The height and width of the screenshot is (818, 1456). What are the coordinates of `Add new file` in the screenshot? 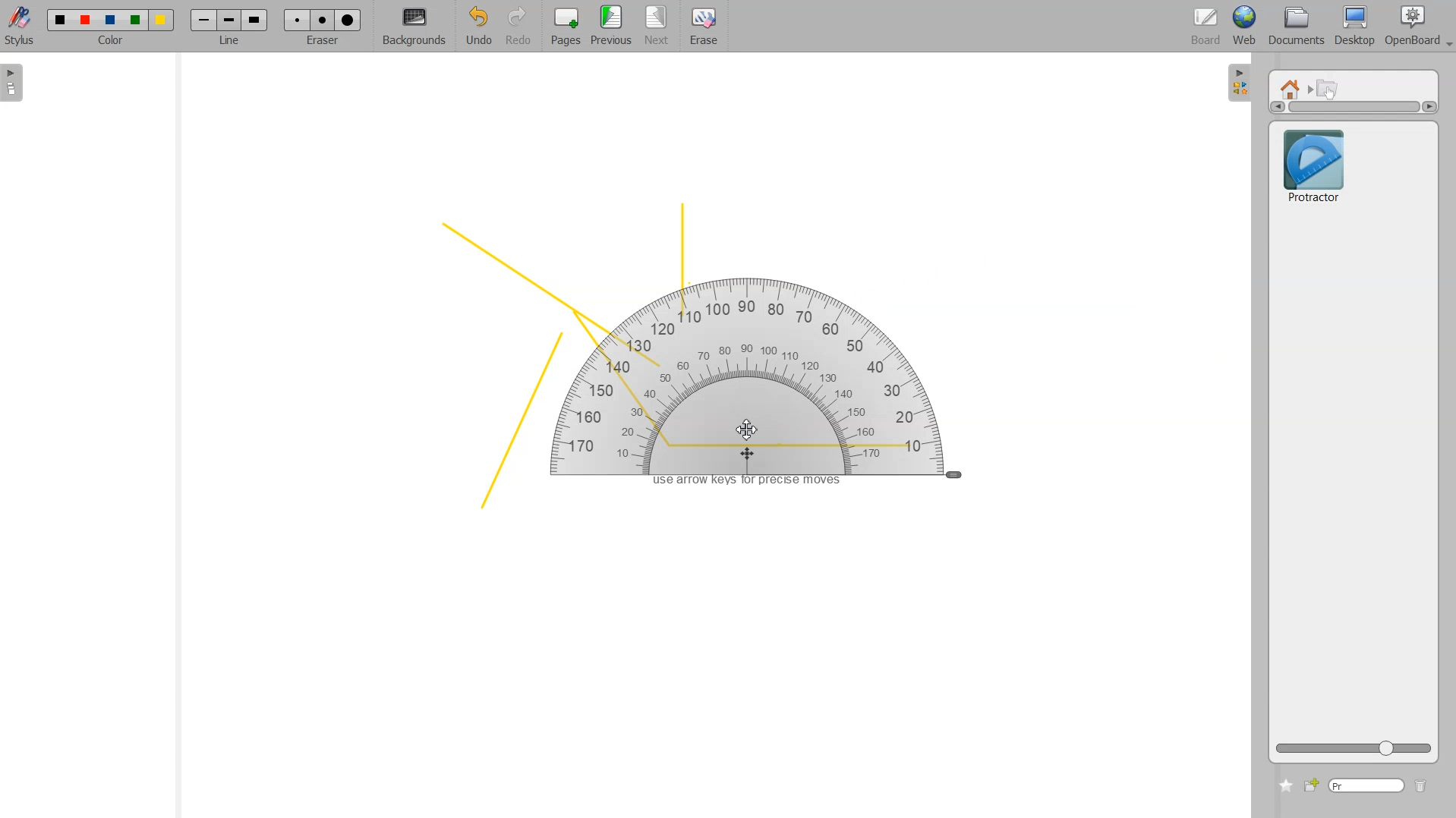 It's located at (1310, 785).